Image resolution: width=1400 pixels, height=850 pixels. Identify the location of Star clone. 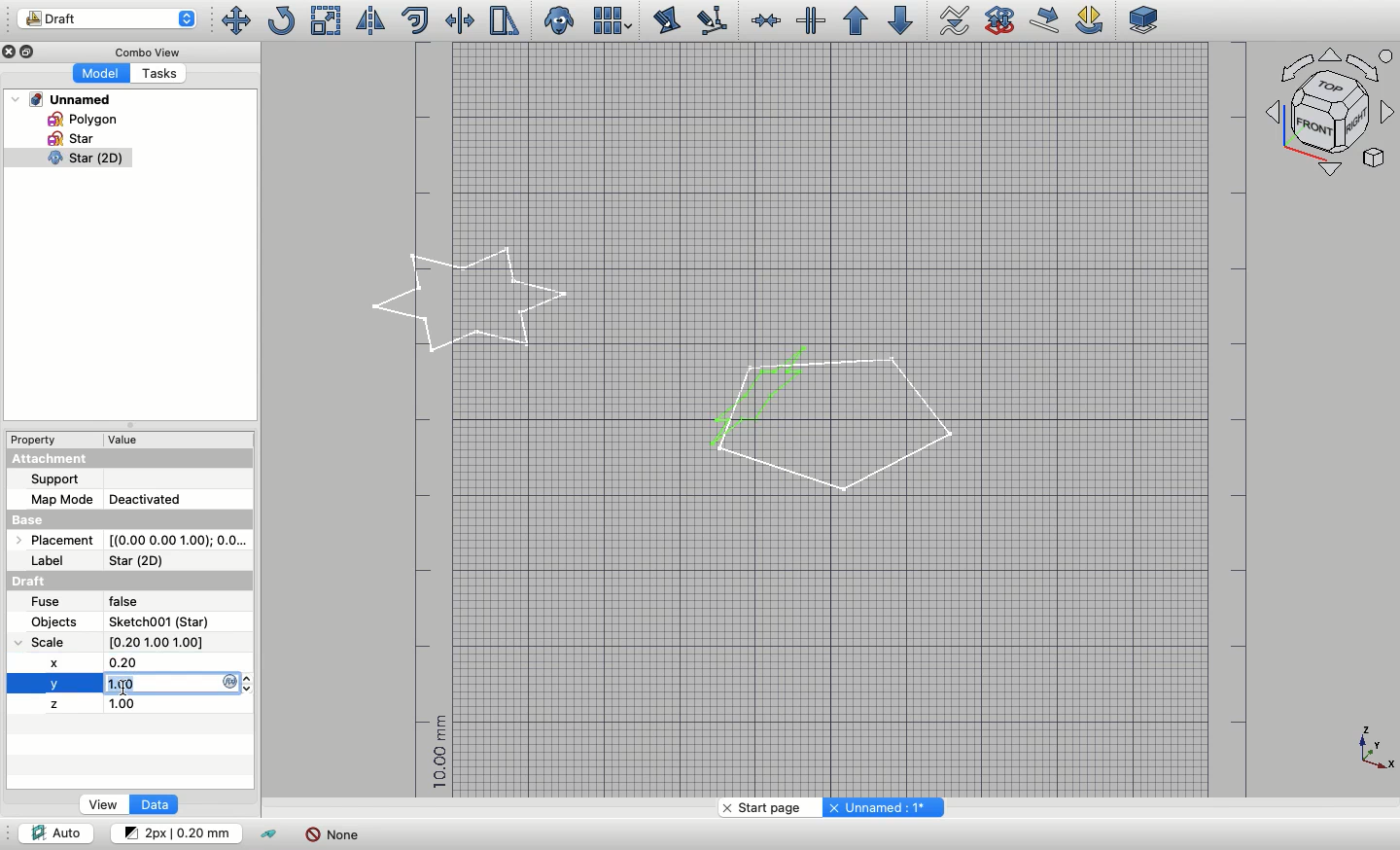
(66, 159).